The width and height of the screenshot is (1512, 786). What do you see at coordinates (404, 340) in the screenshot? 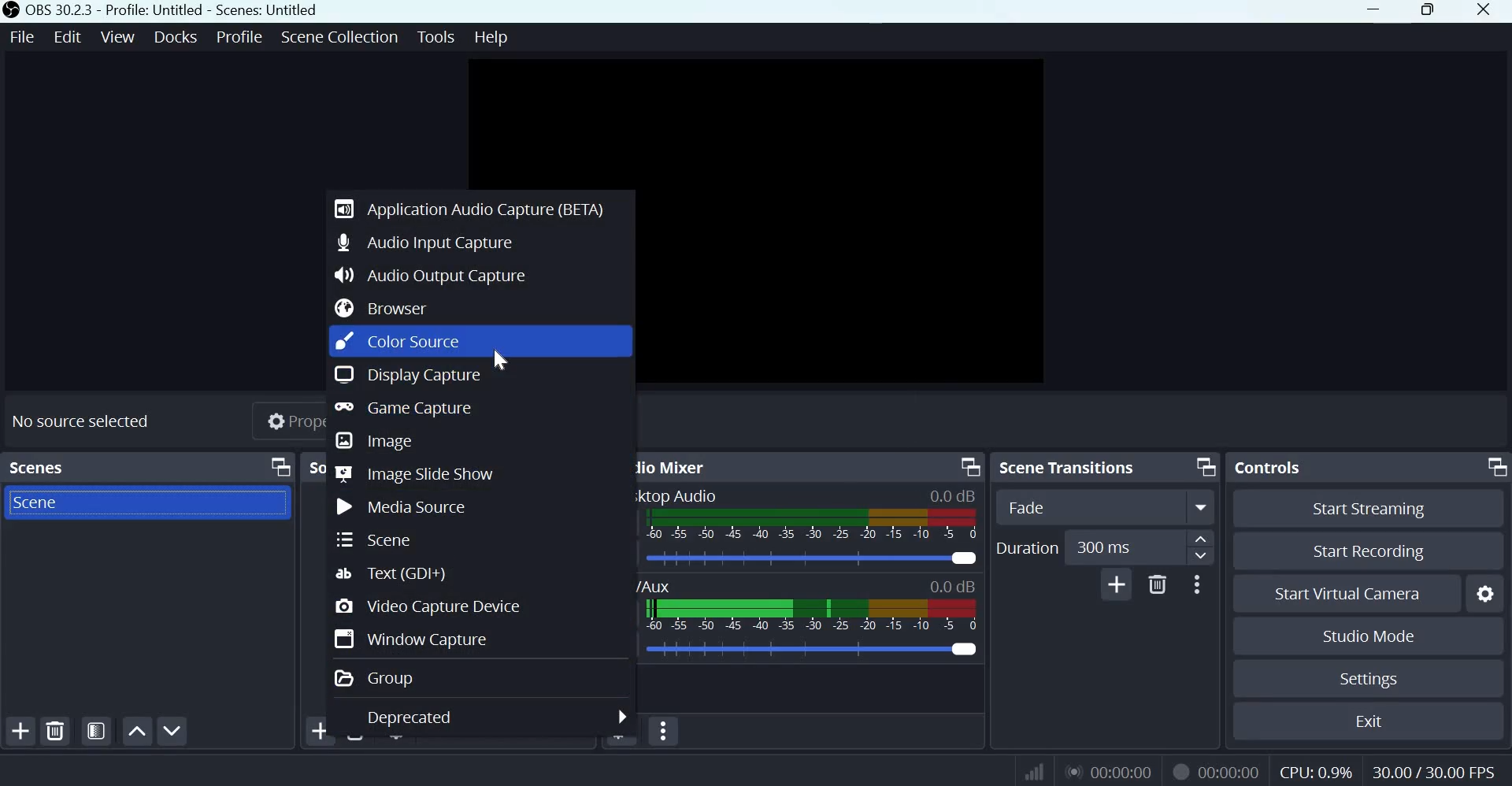
I see `Color source` at bounding box center [404, 340].